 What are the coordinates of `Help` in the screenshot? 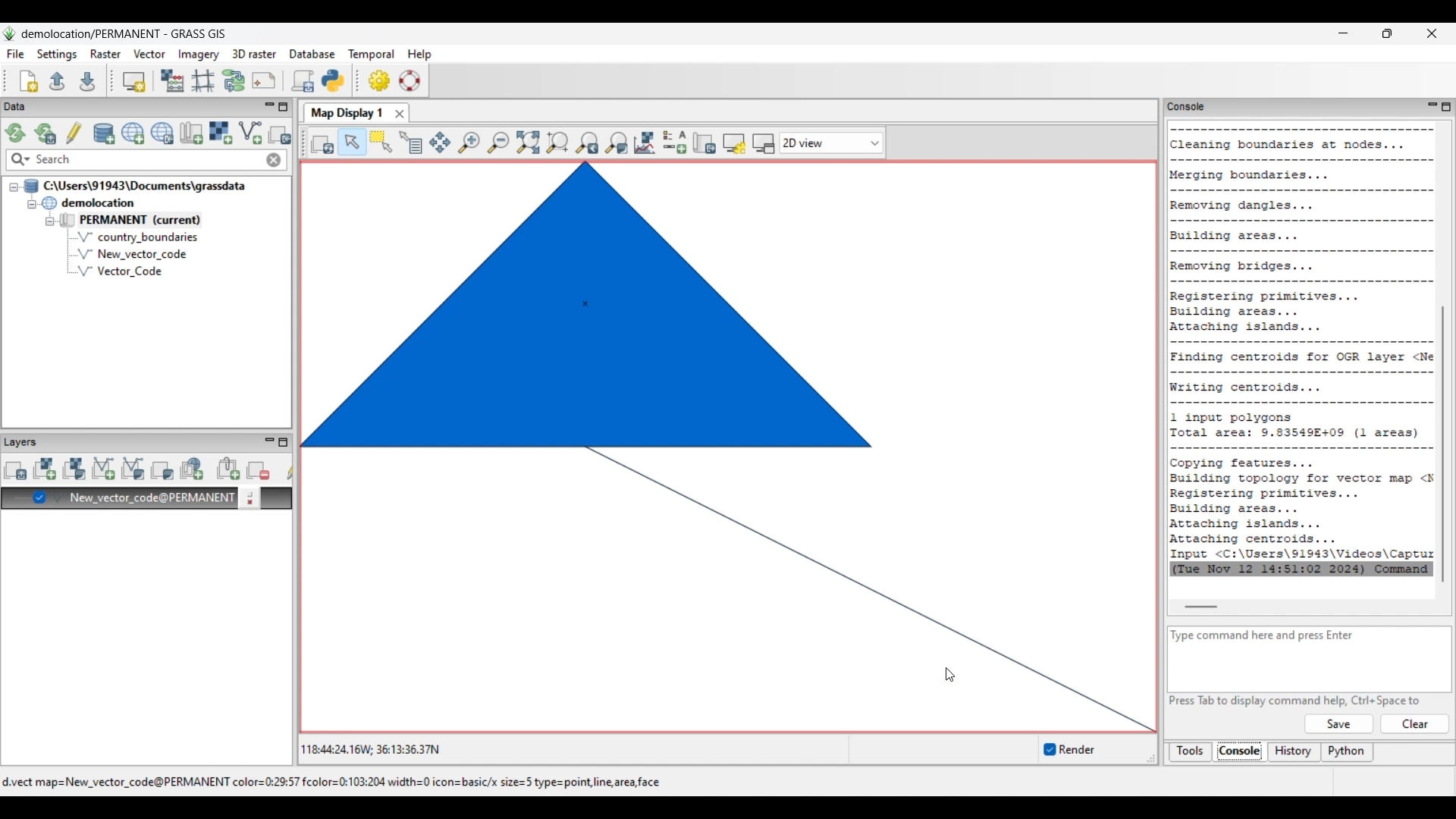 It's located at (1338, 724).